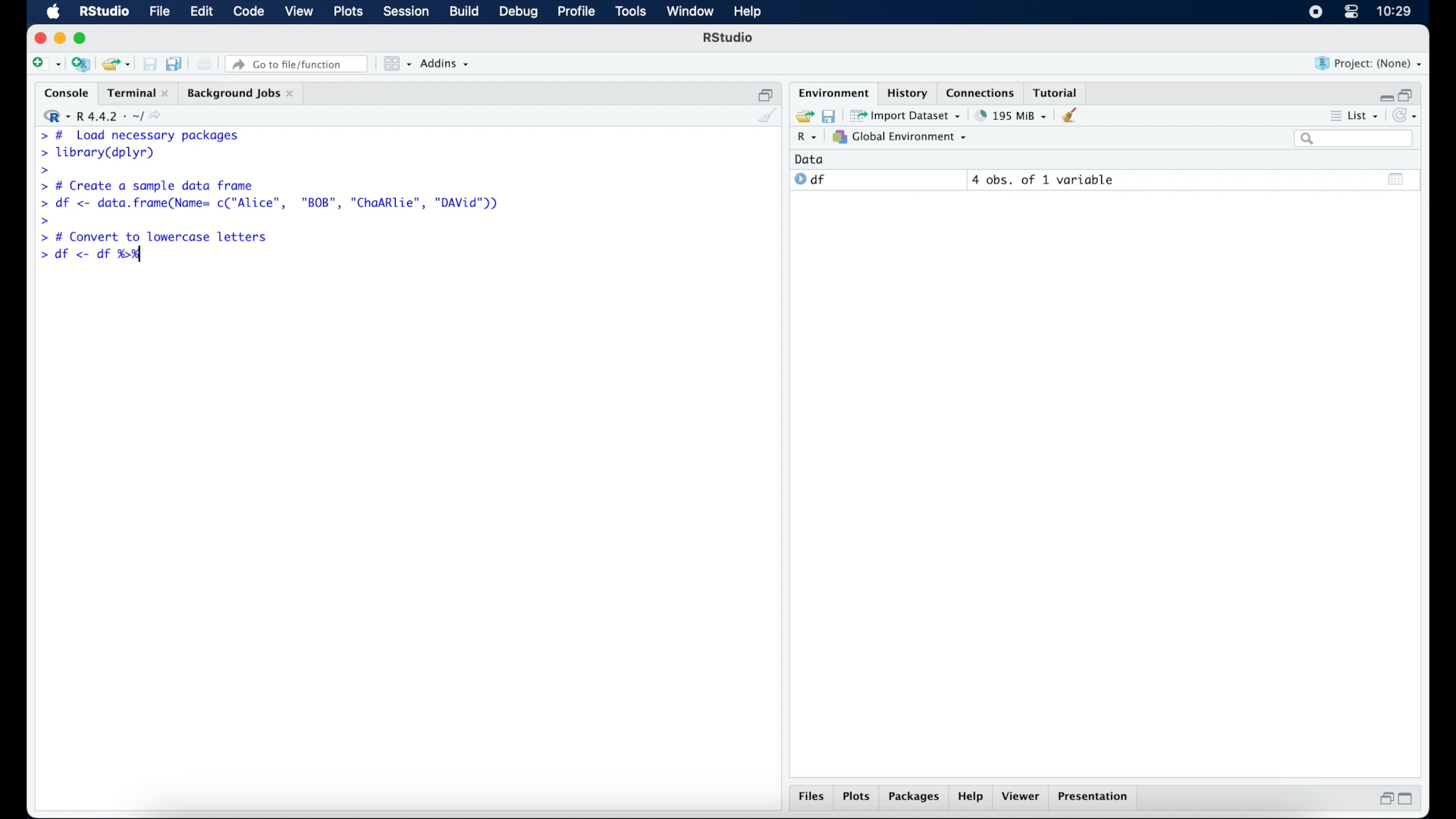 Image resolution: width=1456 pixels, height=819 pixels. I want to click on save, so click(828, 115).